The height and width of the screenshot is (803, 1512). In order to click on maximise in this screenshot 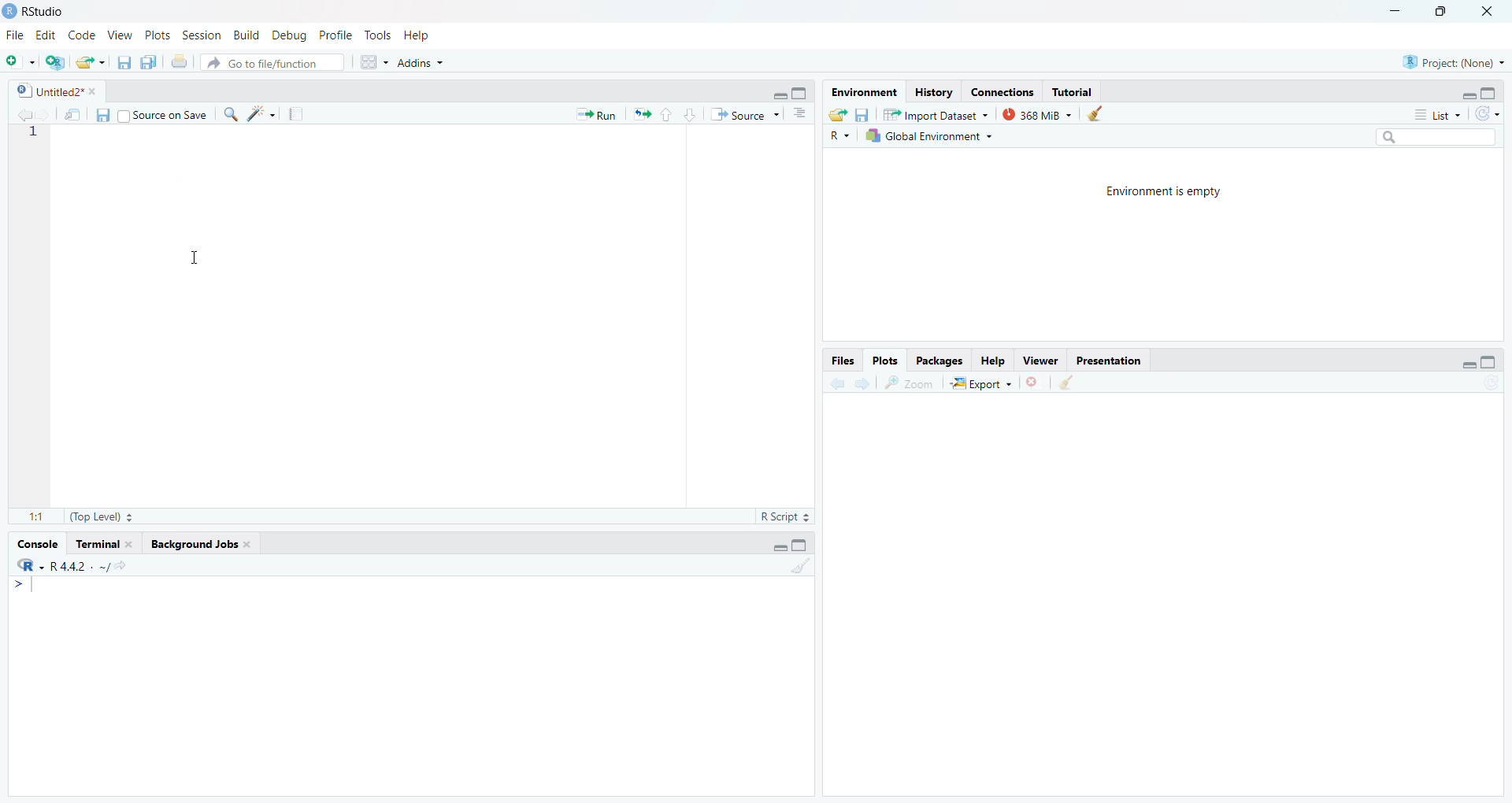, I will do `click(1444, 12)`.